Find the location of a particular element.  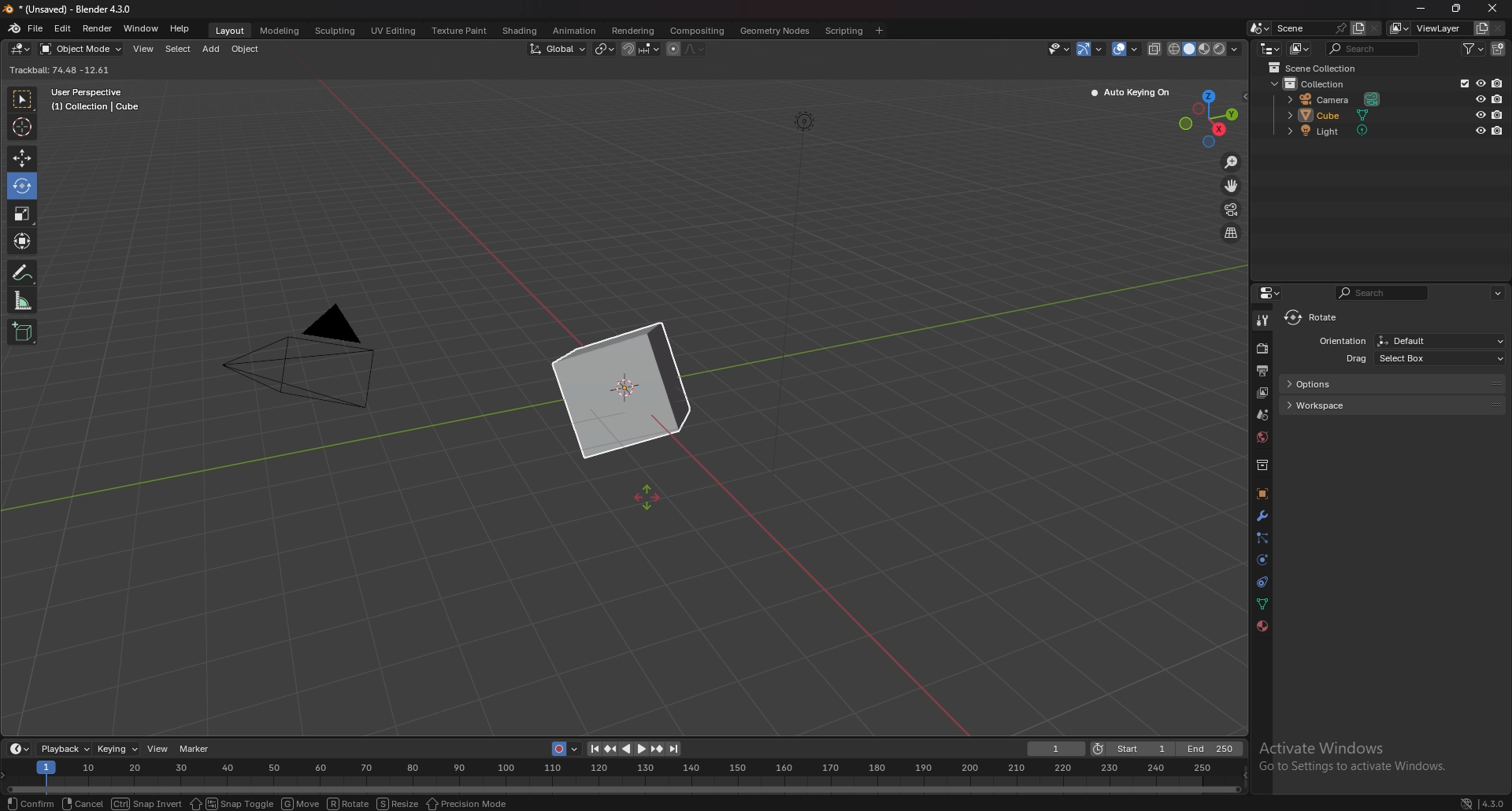

sculpting is located at coordinates (337, 31).